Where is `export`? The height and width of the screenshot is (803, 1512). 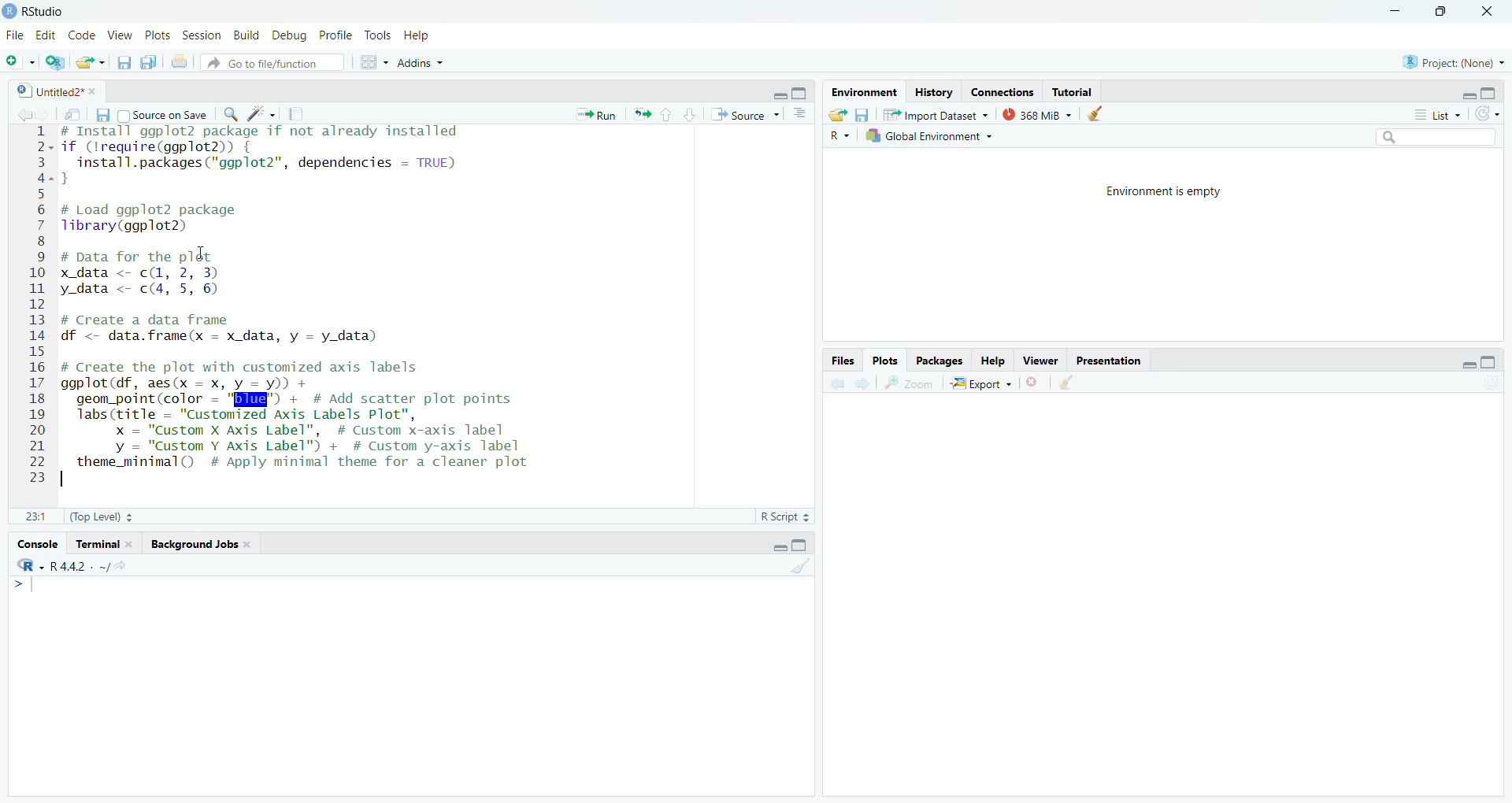 export is located at coordinates (835, 113).